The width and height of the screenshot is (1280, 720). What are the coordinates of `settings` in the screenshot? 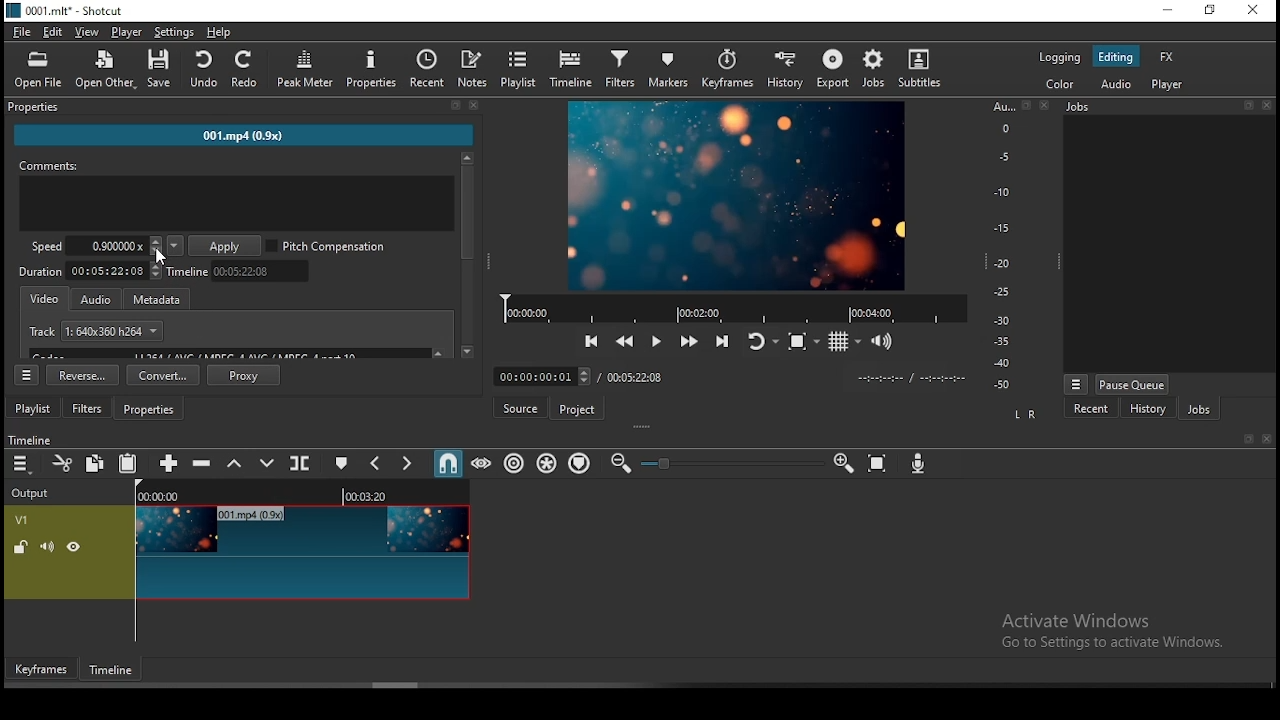 It's located at (175, 31).